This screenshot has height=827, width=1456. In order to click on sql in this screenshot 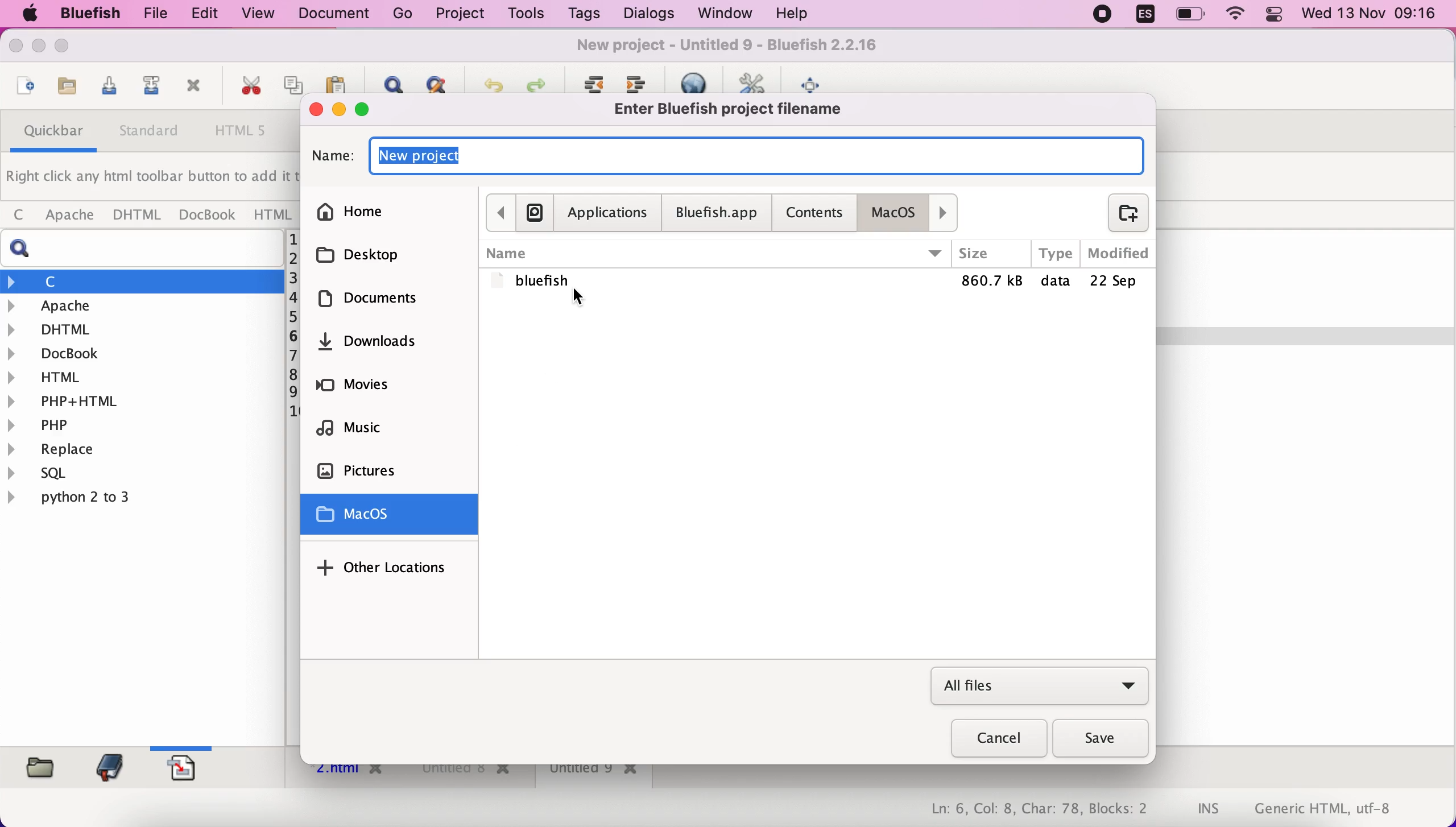, I will do `click(45, 475)`.